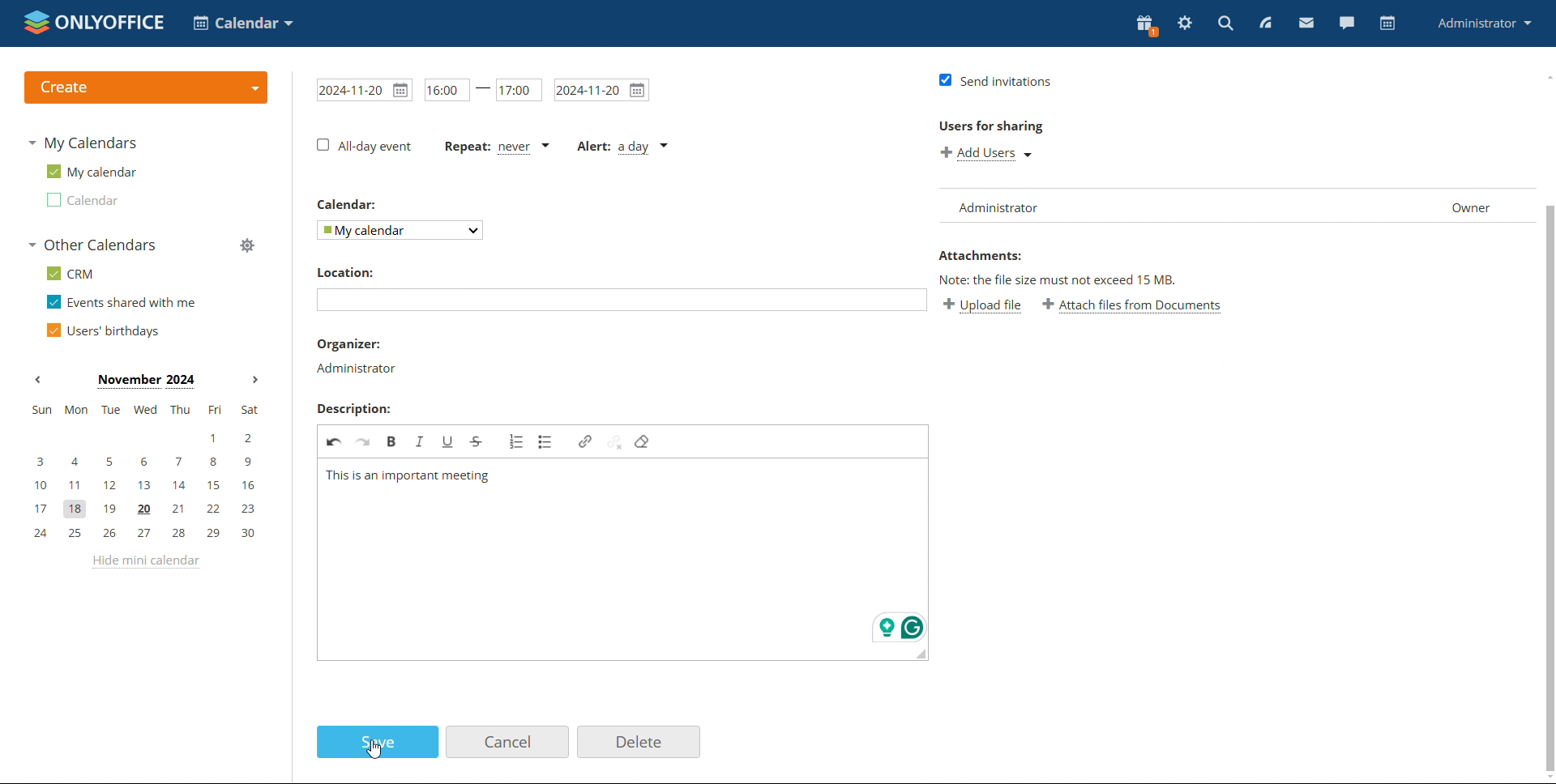  What do you see at coordinates (247, 245) in the screenshot?
I see `manage` at bounding box center [247, 245].